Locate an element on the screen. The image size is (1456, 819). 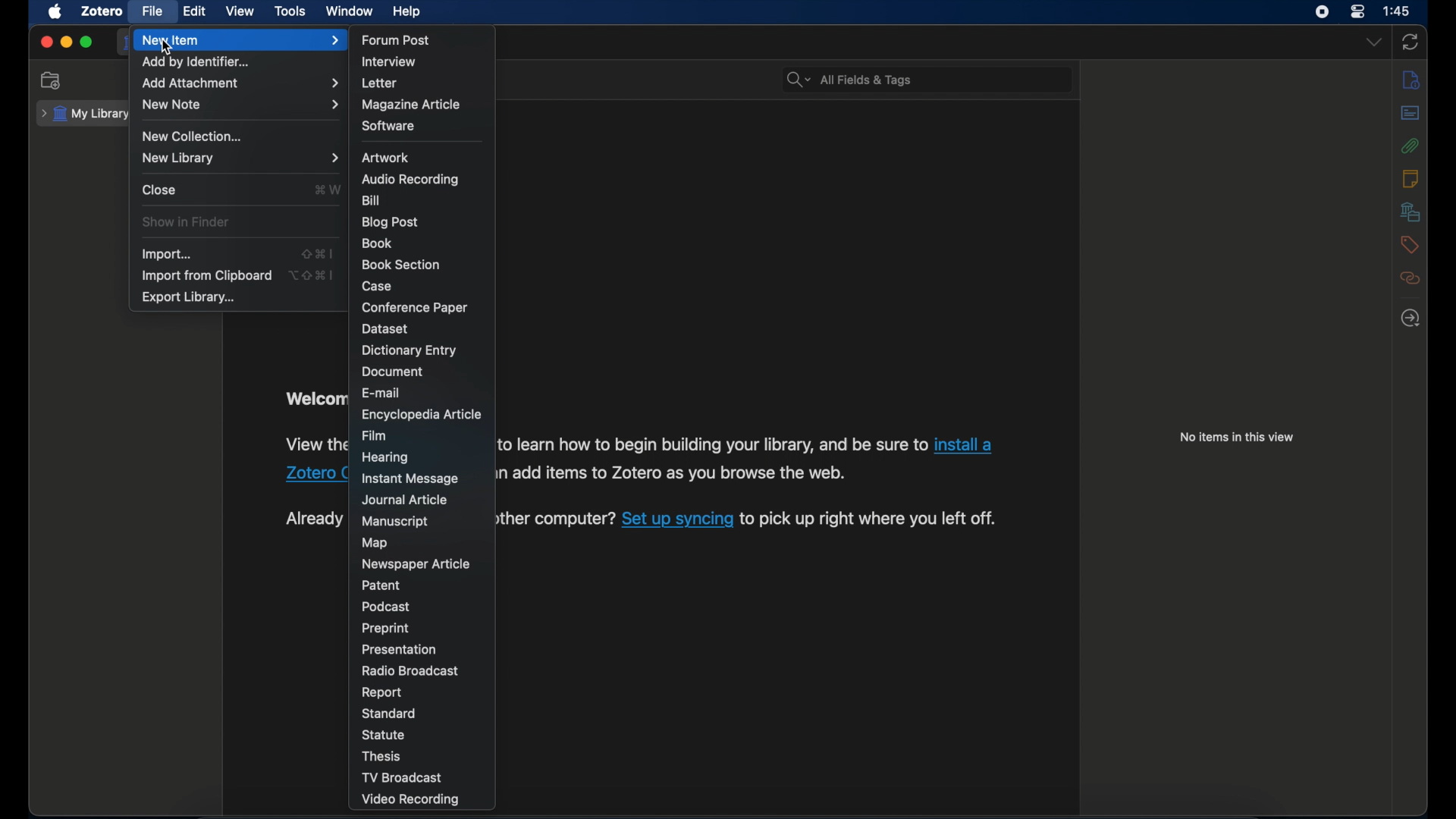
interview is located at coordinates (390, 62).